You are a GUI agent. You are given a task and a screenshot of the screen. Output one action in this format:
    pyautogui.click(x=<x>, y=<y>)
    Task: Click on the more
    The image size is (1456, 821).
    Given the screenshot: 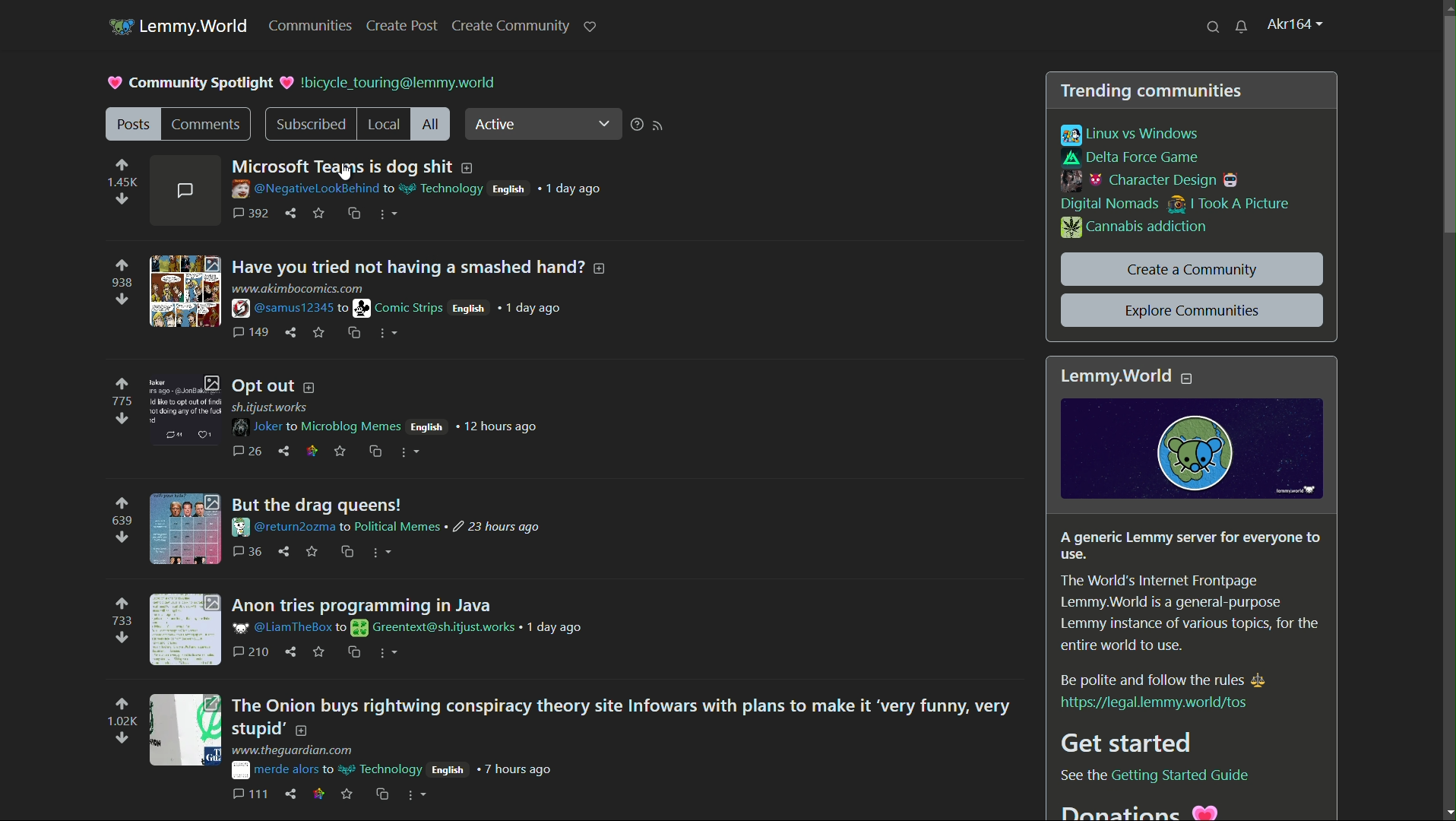 What is the action you would take?
    pyautogui.click(x=410, y=453)
    